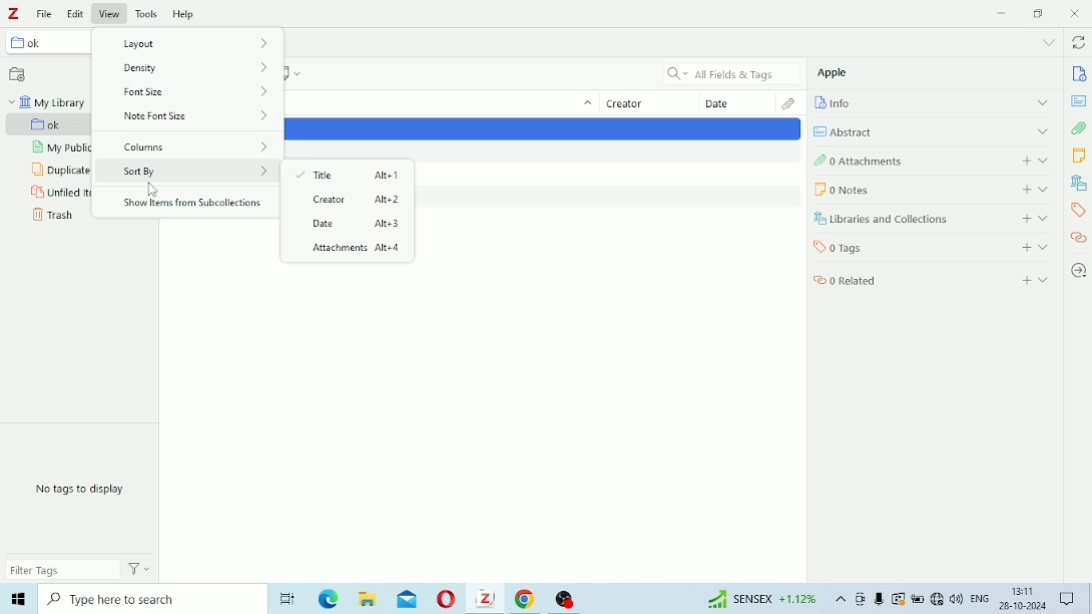 This screenshot has width=1092, height=614. I want to click on Locate, so click(1080, 270).